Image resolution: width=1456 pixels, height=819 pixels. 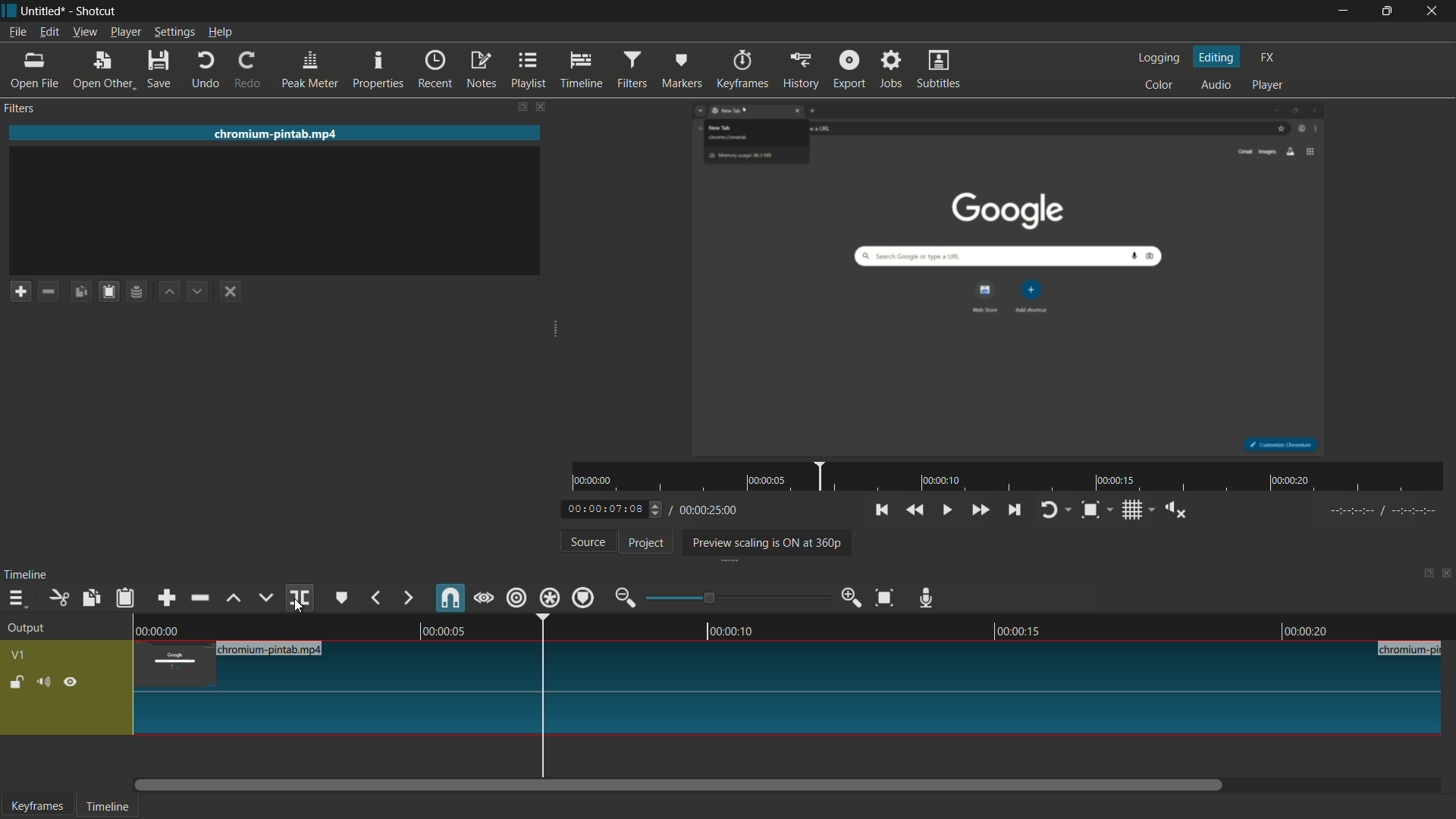 I want to click on 0.00.20, so click(x=1303, y=631).